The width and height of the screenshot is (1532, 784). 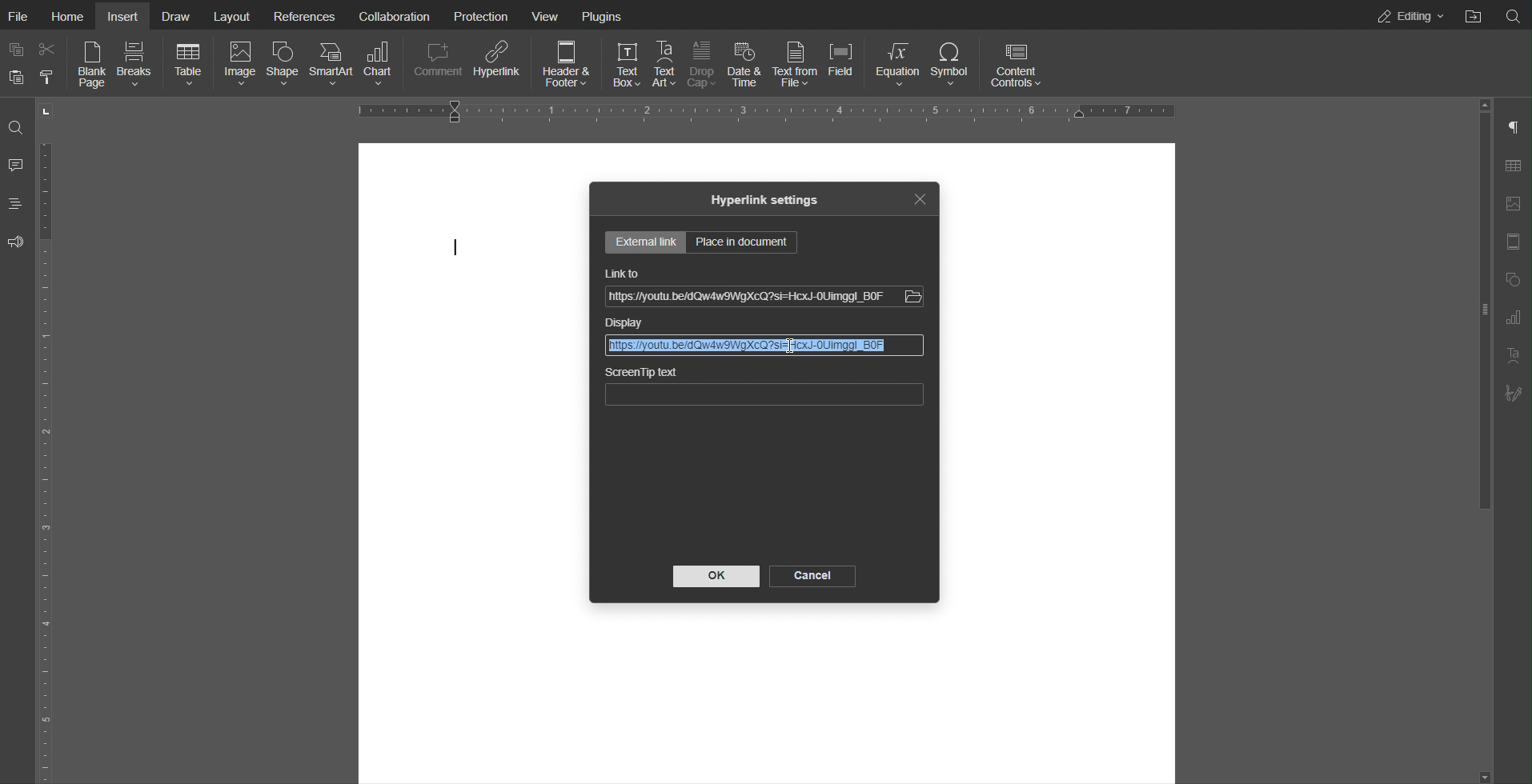 I want to click on Field, so click(x=847, y=65).